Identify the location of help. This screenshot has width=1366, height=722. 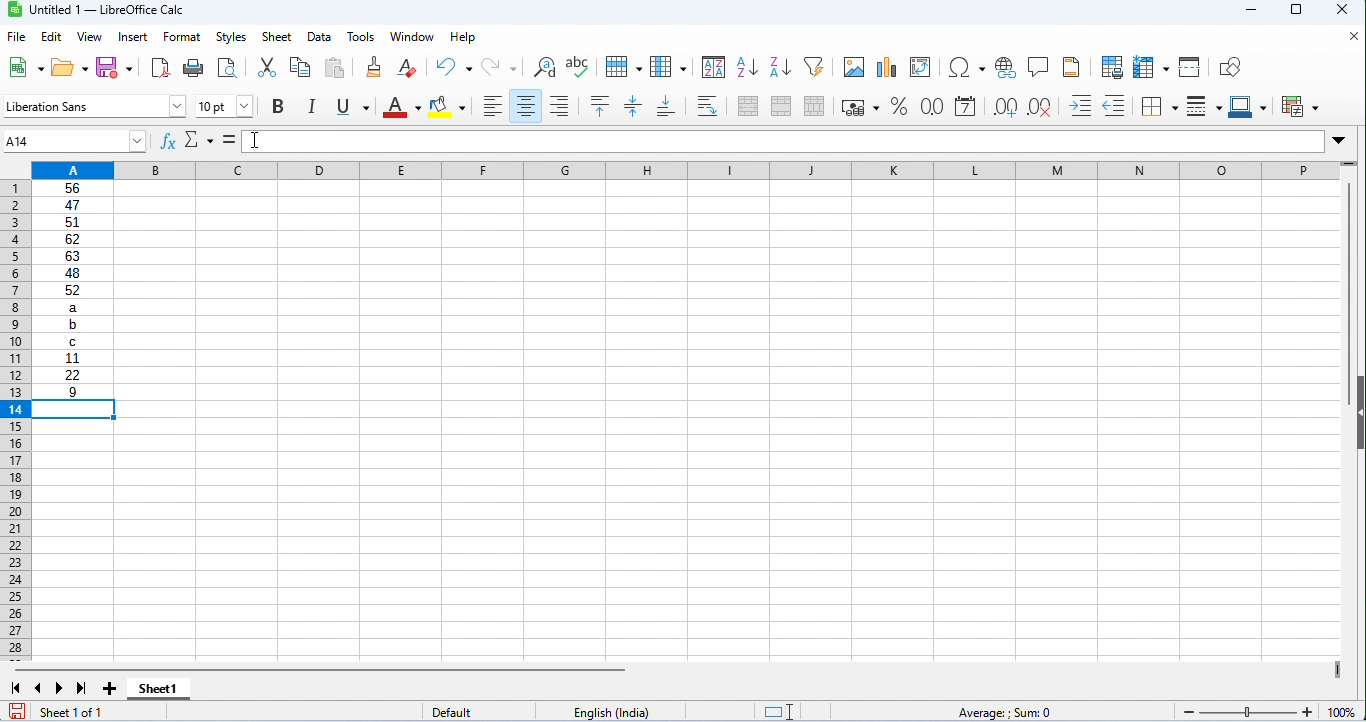
(462, 38).